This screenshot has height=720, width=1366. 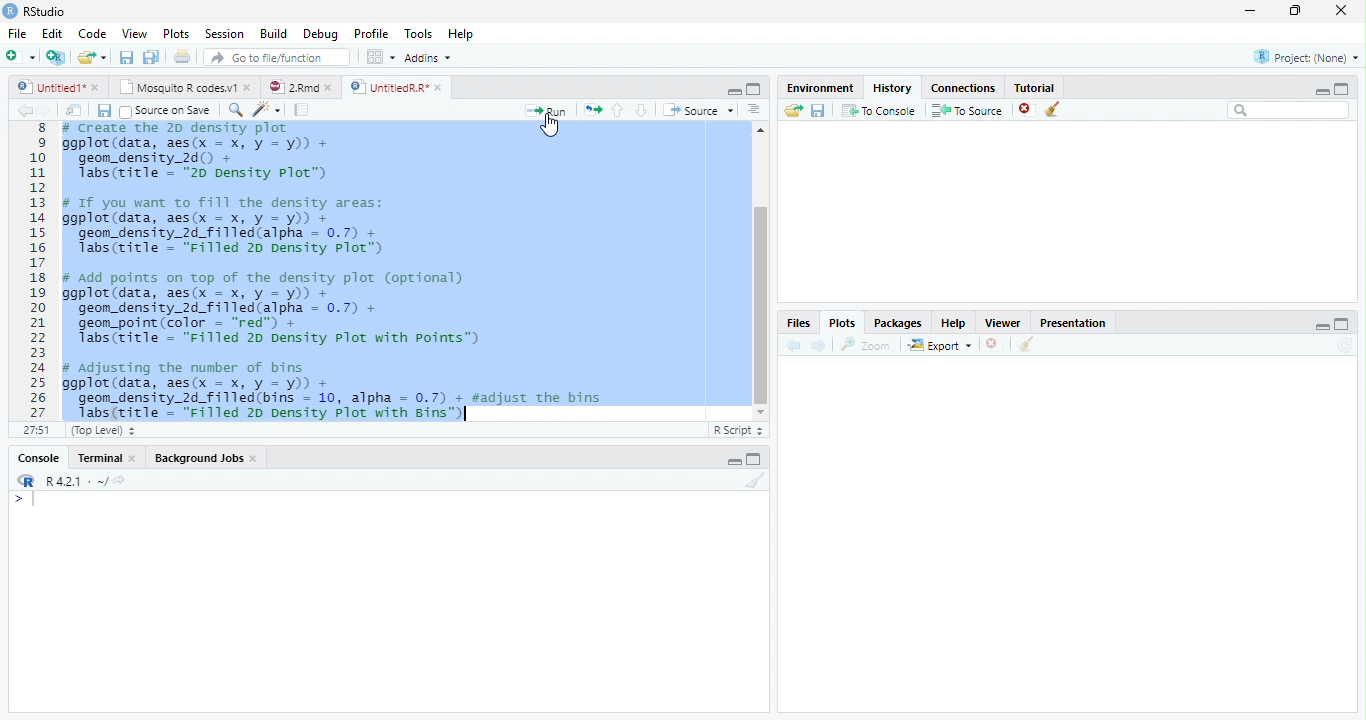 I want to click on Profile, so click(x=372, y=34).